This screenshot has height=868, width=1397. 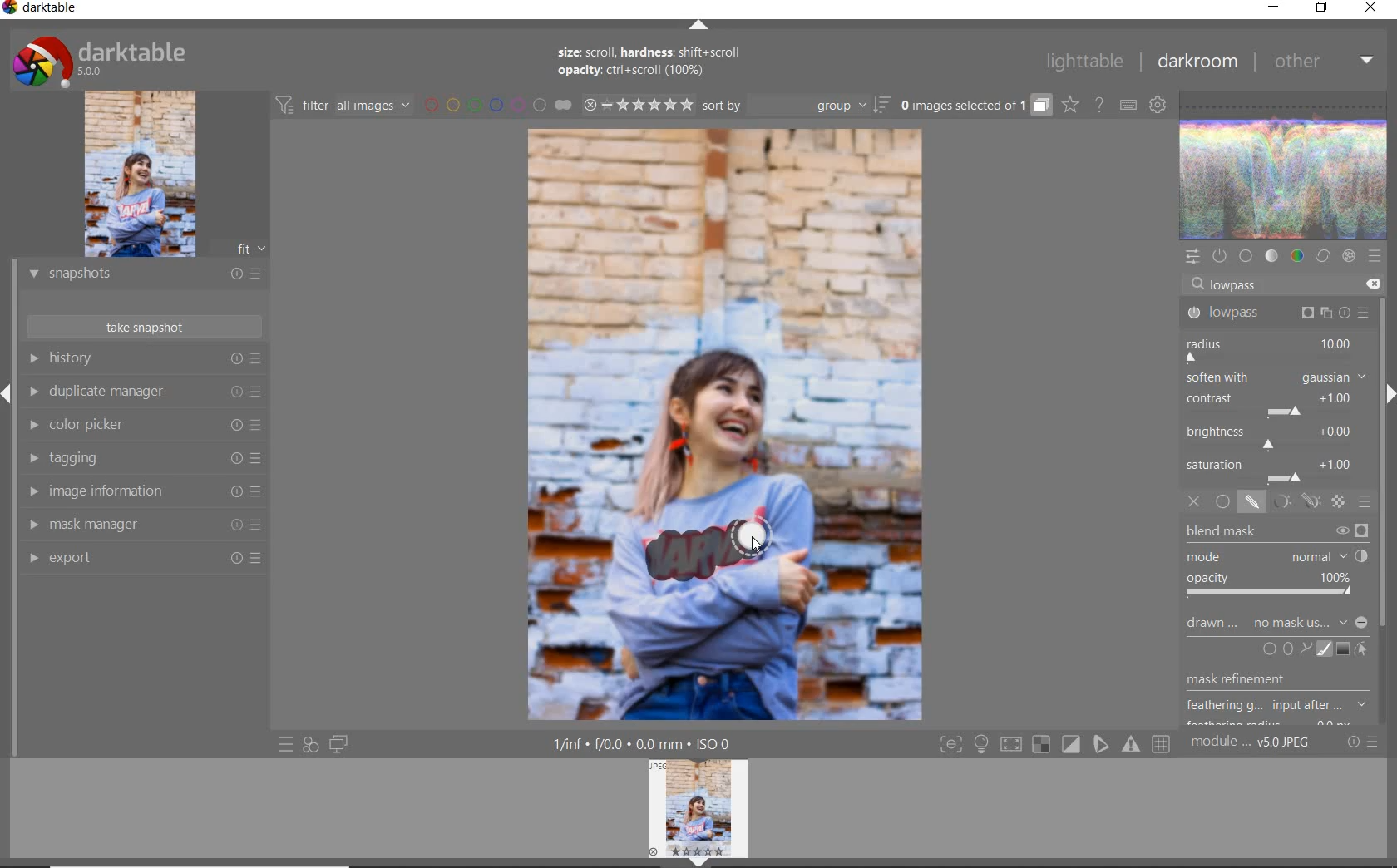 What do you see at coordinates (1197, 62) in the screenshot?
I see `darkroom` at bounding box center [1197, 62].